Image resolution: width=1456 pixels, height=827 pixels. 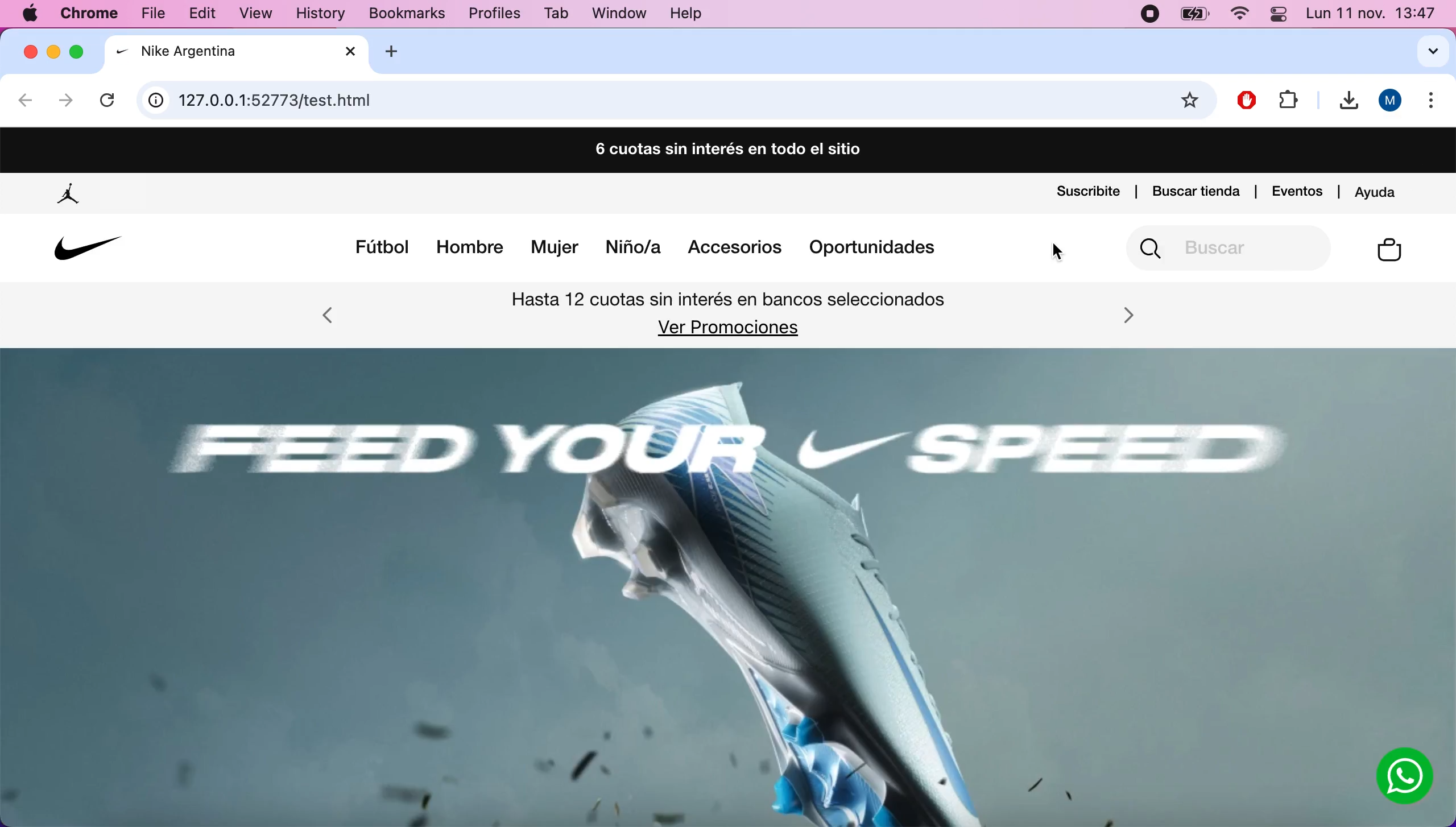 What do you see at coordinates (1148, 15) in the screenshot?
I see `recording stopped` at bounding box center [1148, 15].